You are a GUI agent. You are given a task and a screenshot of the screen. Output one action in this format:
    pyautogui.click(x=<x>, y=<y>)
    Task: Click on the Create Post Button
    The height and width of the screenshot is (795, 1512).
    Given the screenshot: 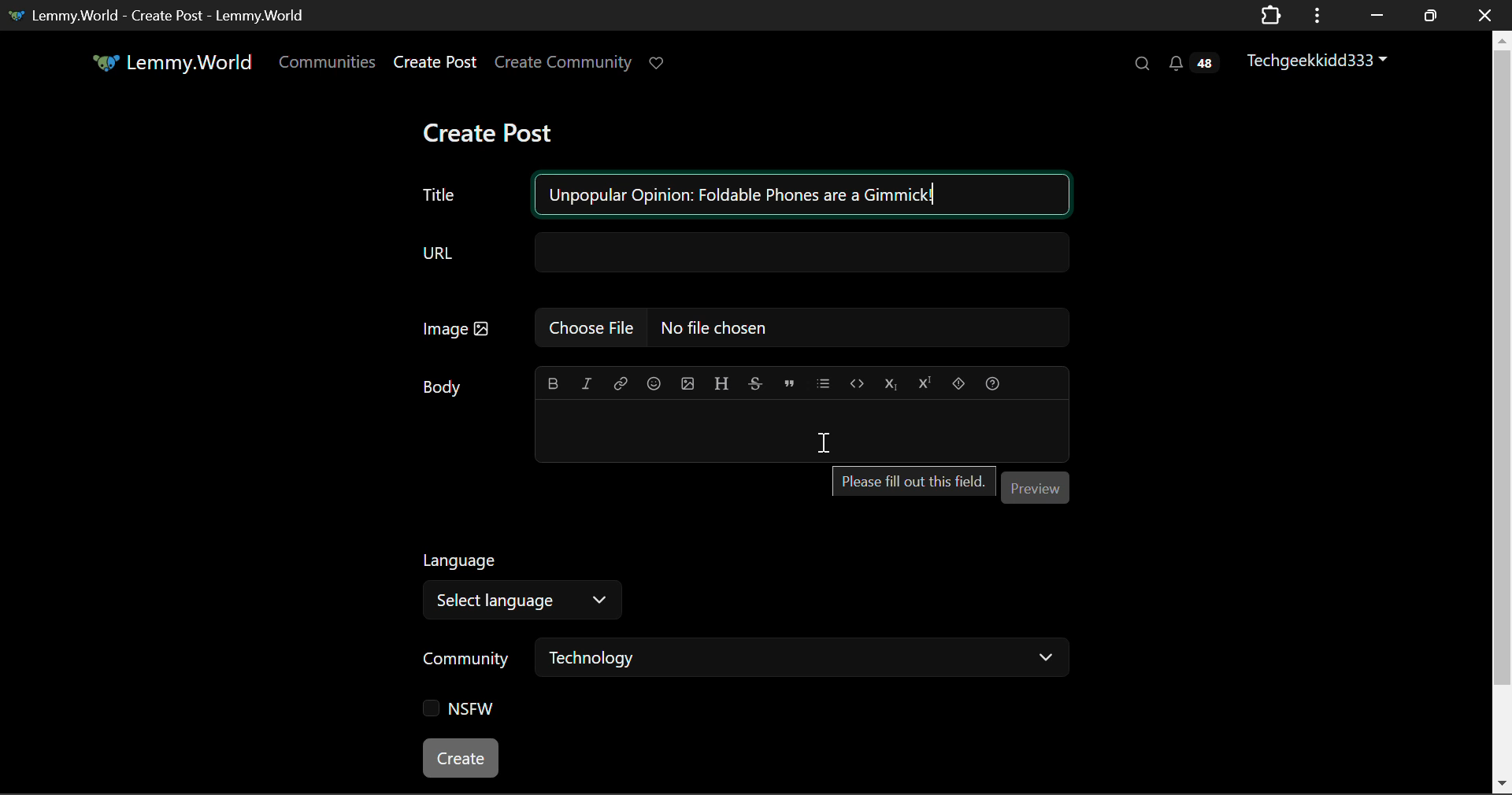 What is the action you would take?
    pyautogui.click(x=462, y=758)
    